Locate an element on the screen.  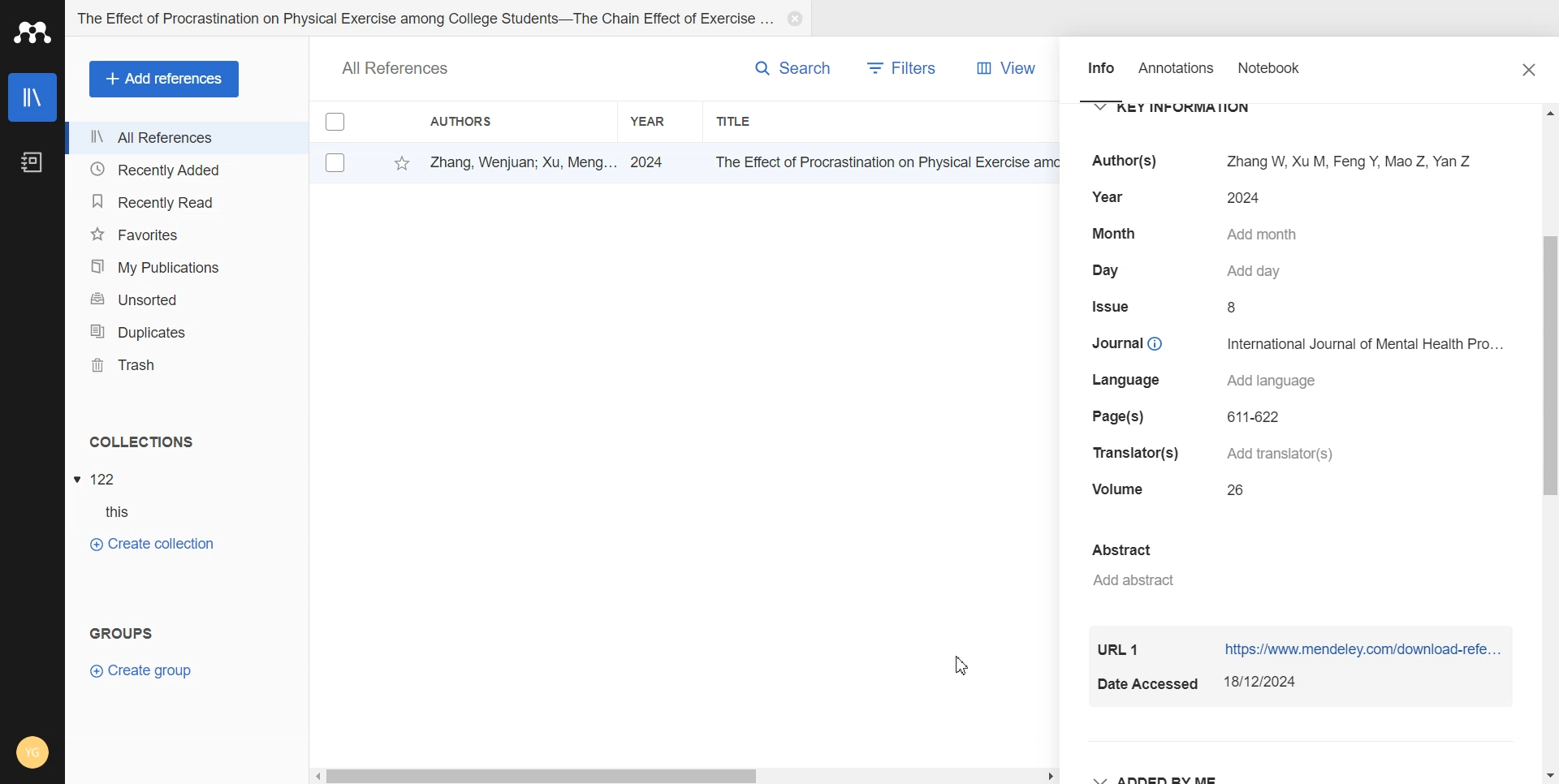
Up is located at coordinates (1548, 115).